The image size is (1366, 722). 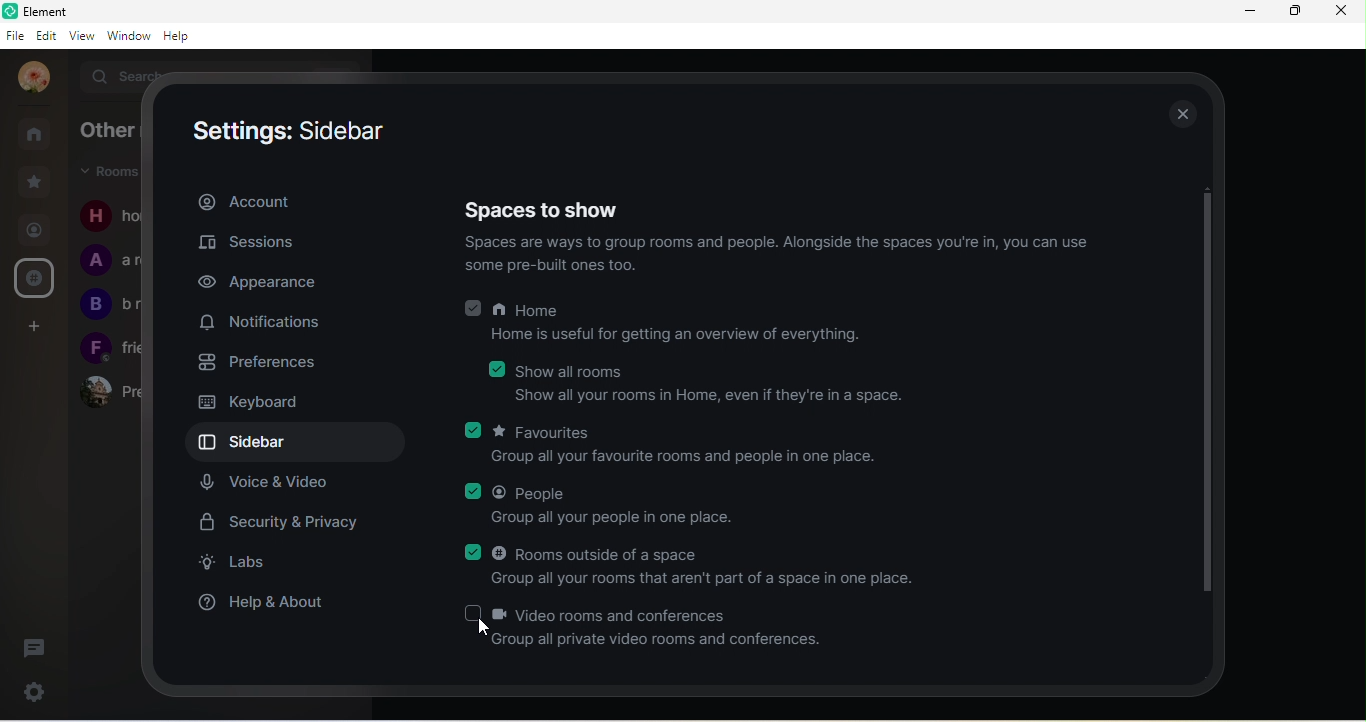 I want to click on help, so click(x=178, y=36).